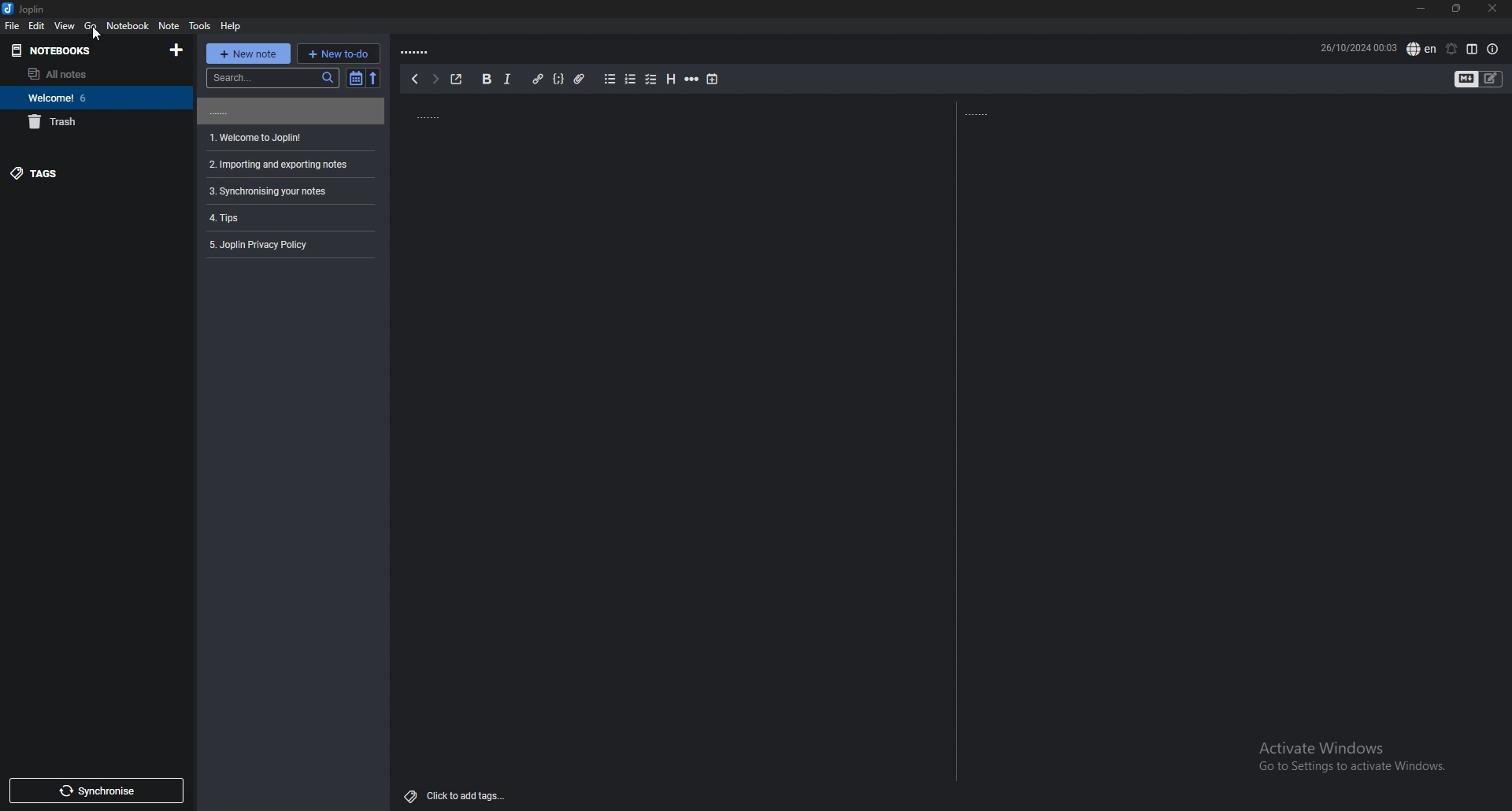  I want to click on new todo, so click(339, 54).